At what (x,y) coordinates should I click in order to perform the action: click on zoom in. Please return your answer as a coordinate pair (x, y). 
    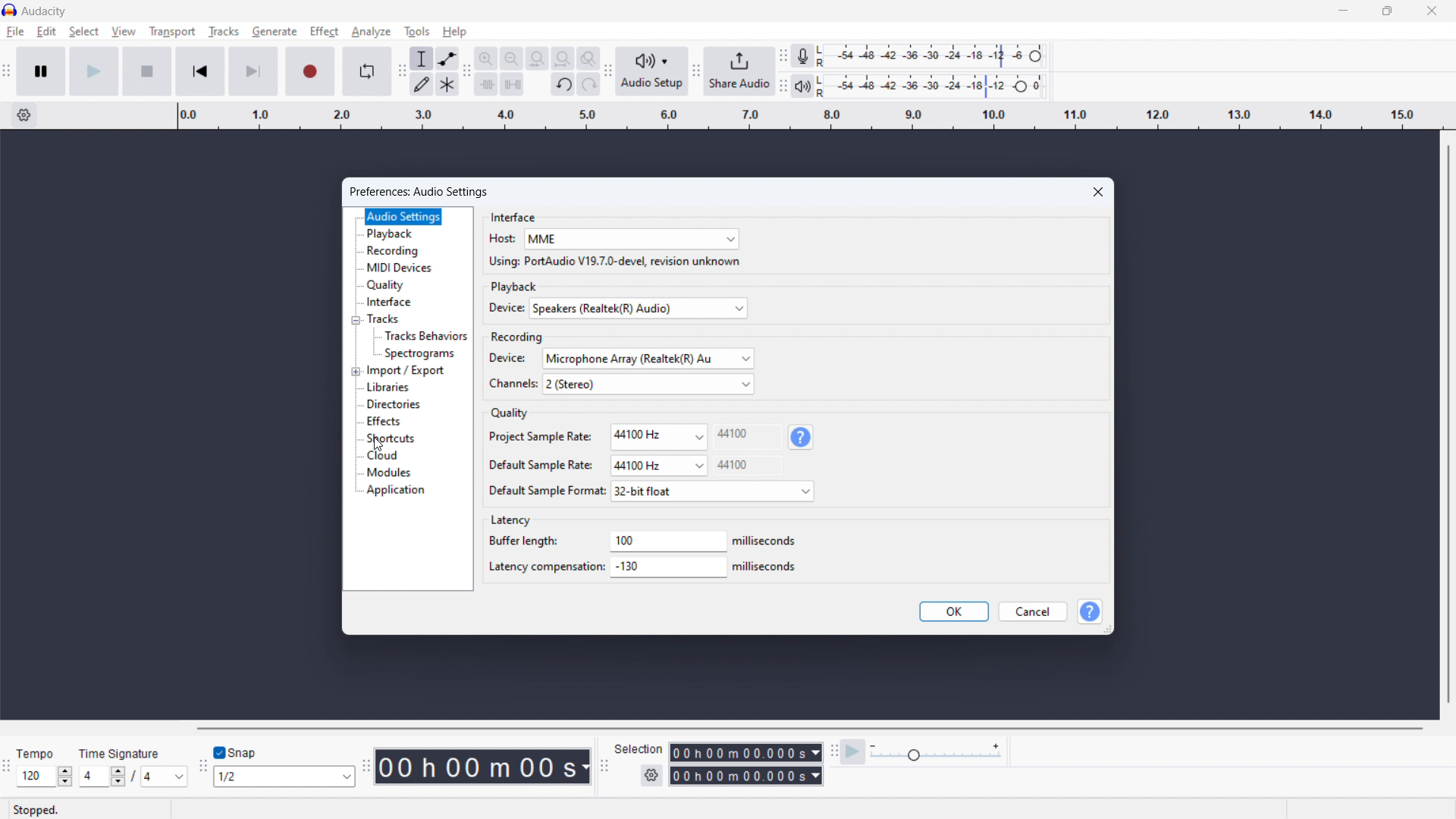
    Looking at the image, I should click on (485, 58).